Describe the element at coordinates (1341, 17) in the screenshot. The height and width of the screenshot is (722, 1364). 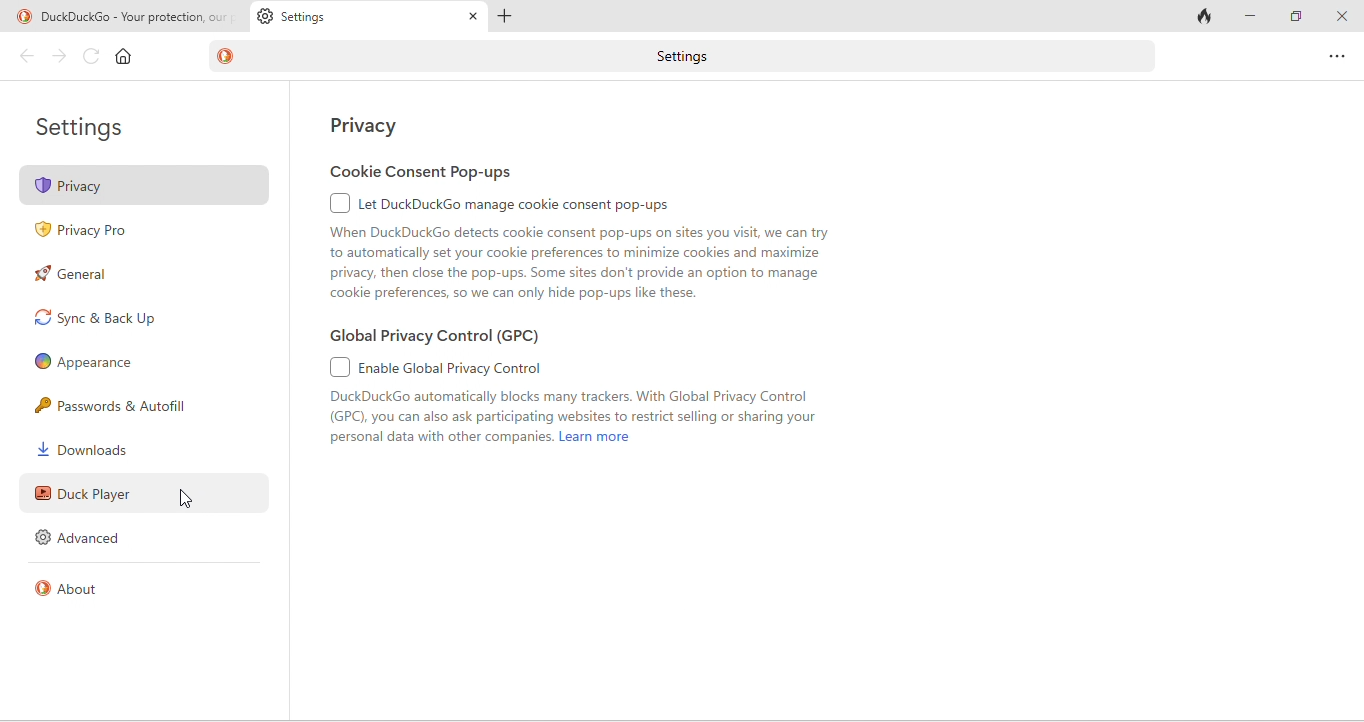
I see `close` at that location.